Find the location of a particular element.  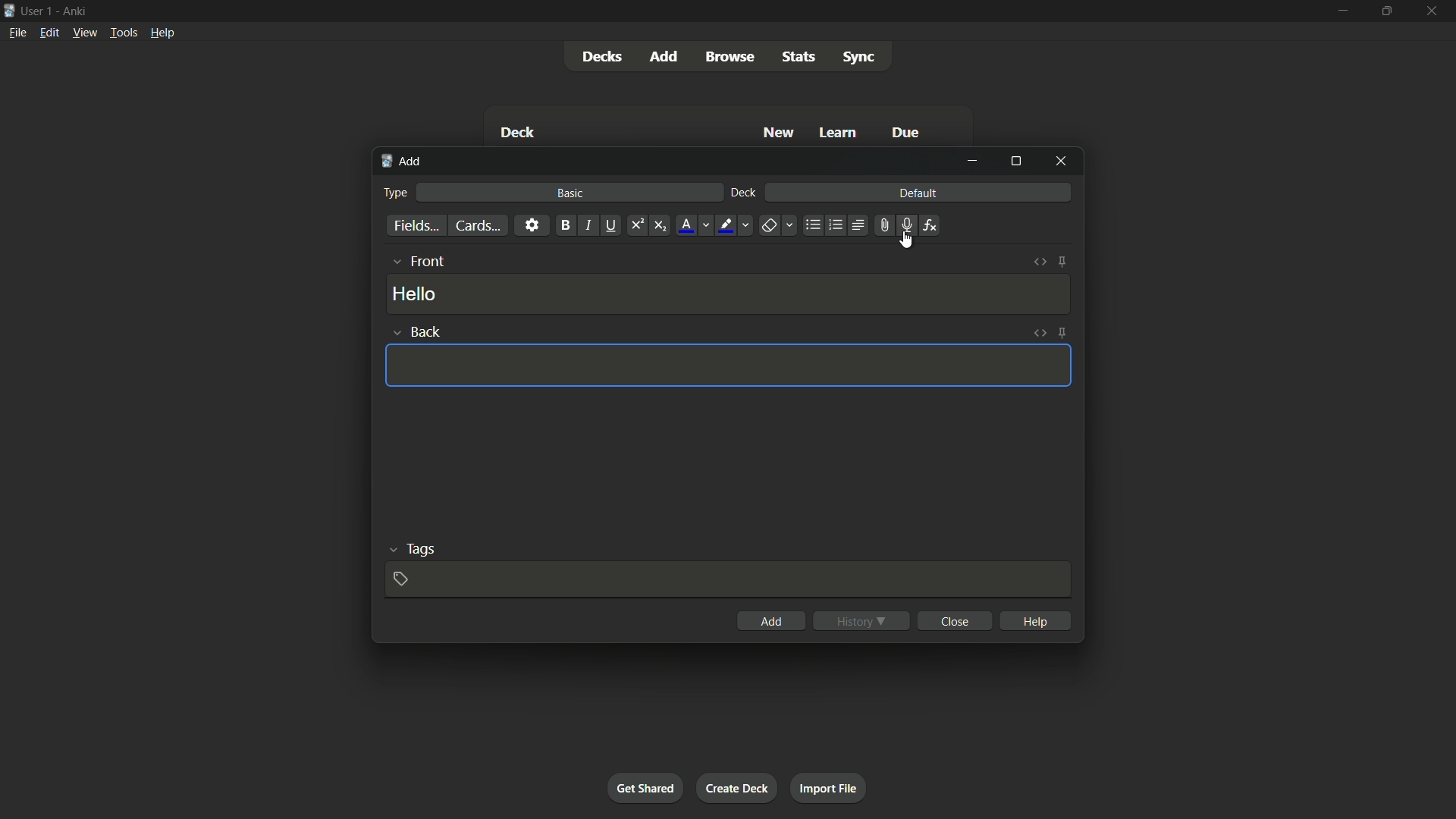

minimize is located at coordinates (972, 161).